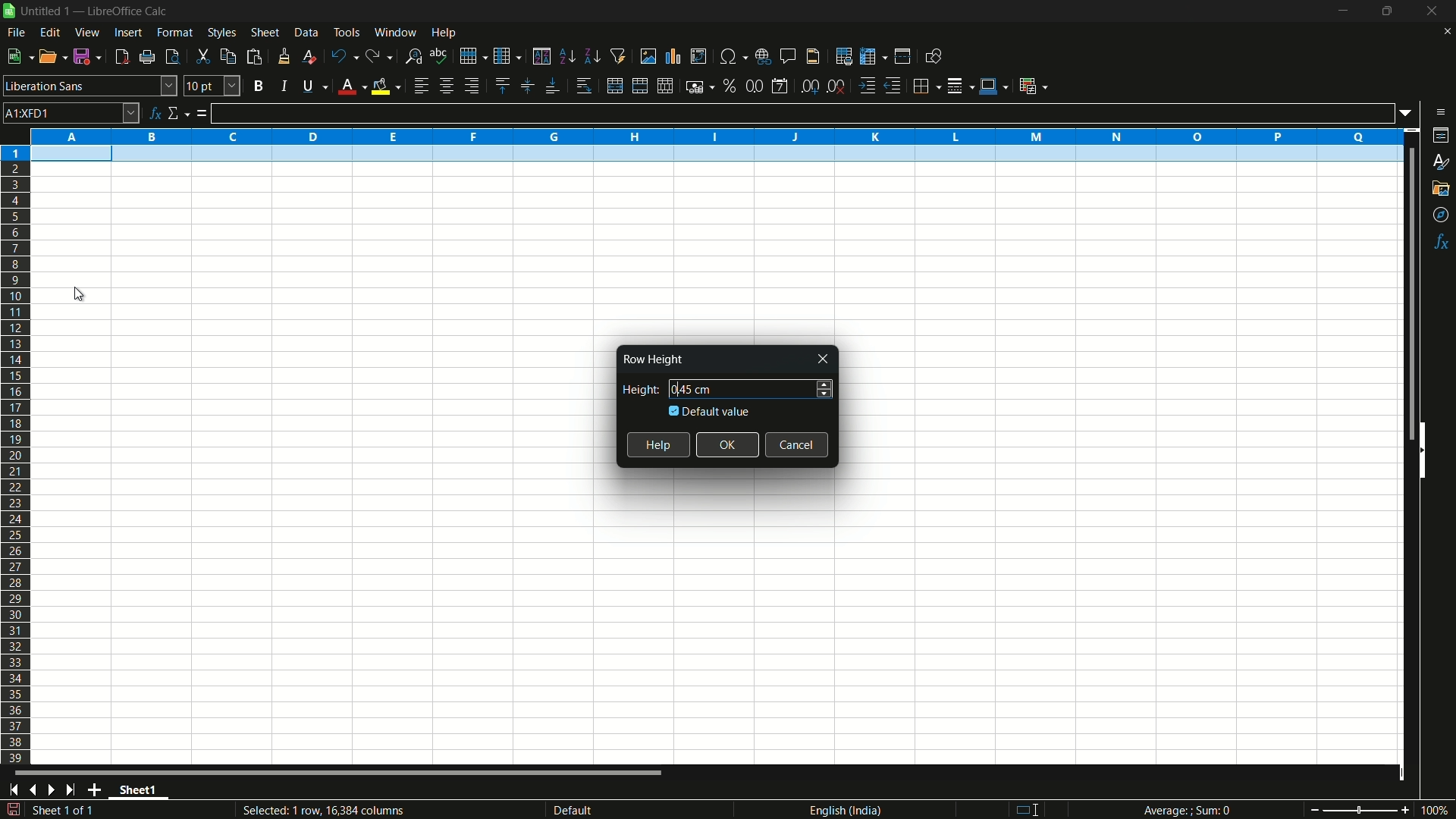 The image size is (1456, 819). Describe the element at coordinates (284, 56) in the screenshot. I see `clone formatting` at that location.